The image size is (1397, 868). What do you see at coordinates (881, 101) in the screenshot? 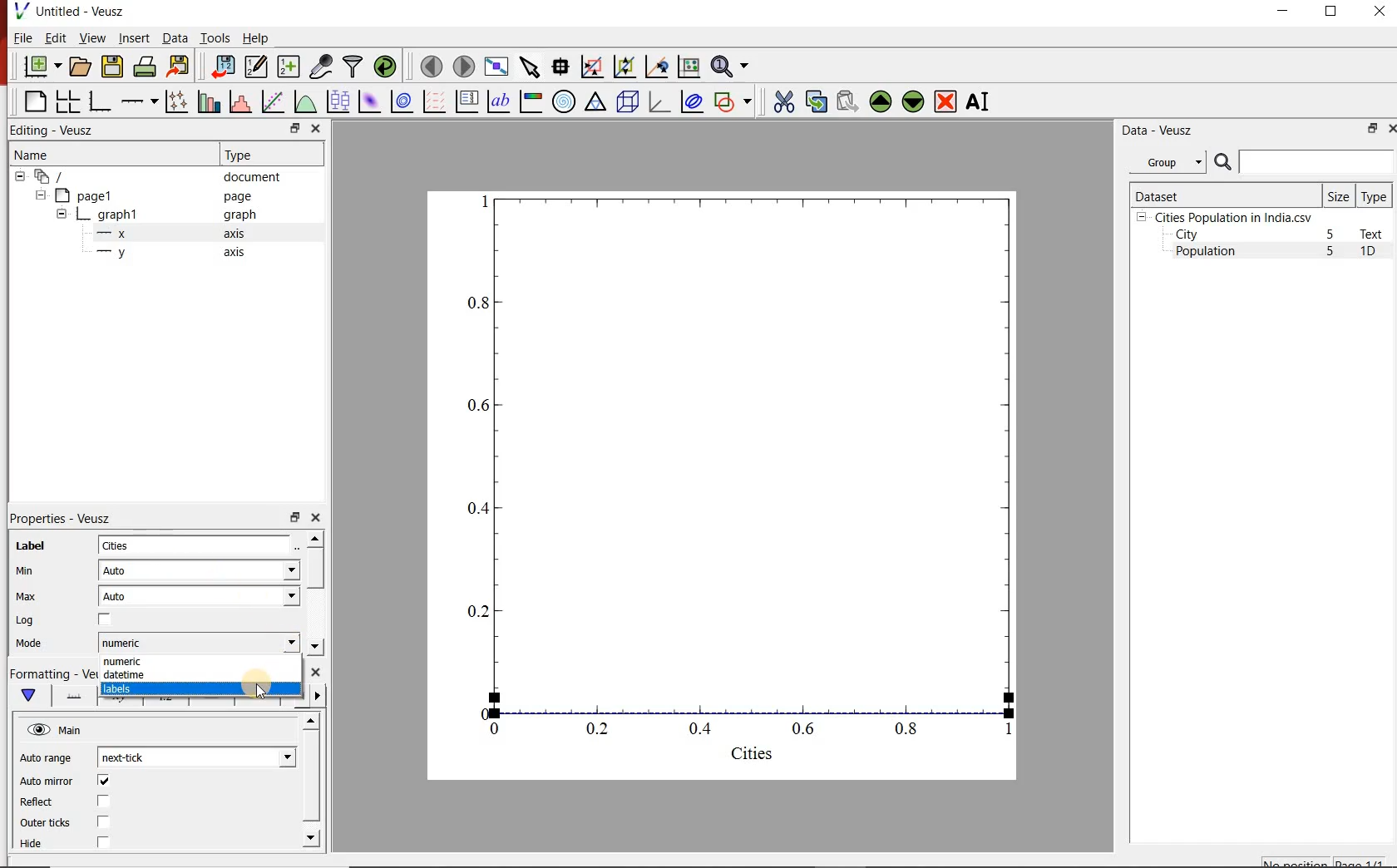
I see `move the selected widget up` at bounding box center [881, 101].